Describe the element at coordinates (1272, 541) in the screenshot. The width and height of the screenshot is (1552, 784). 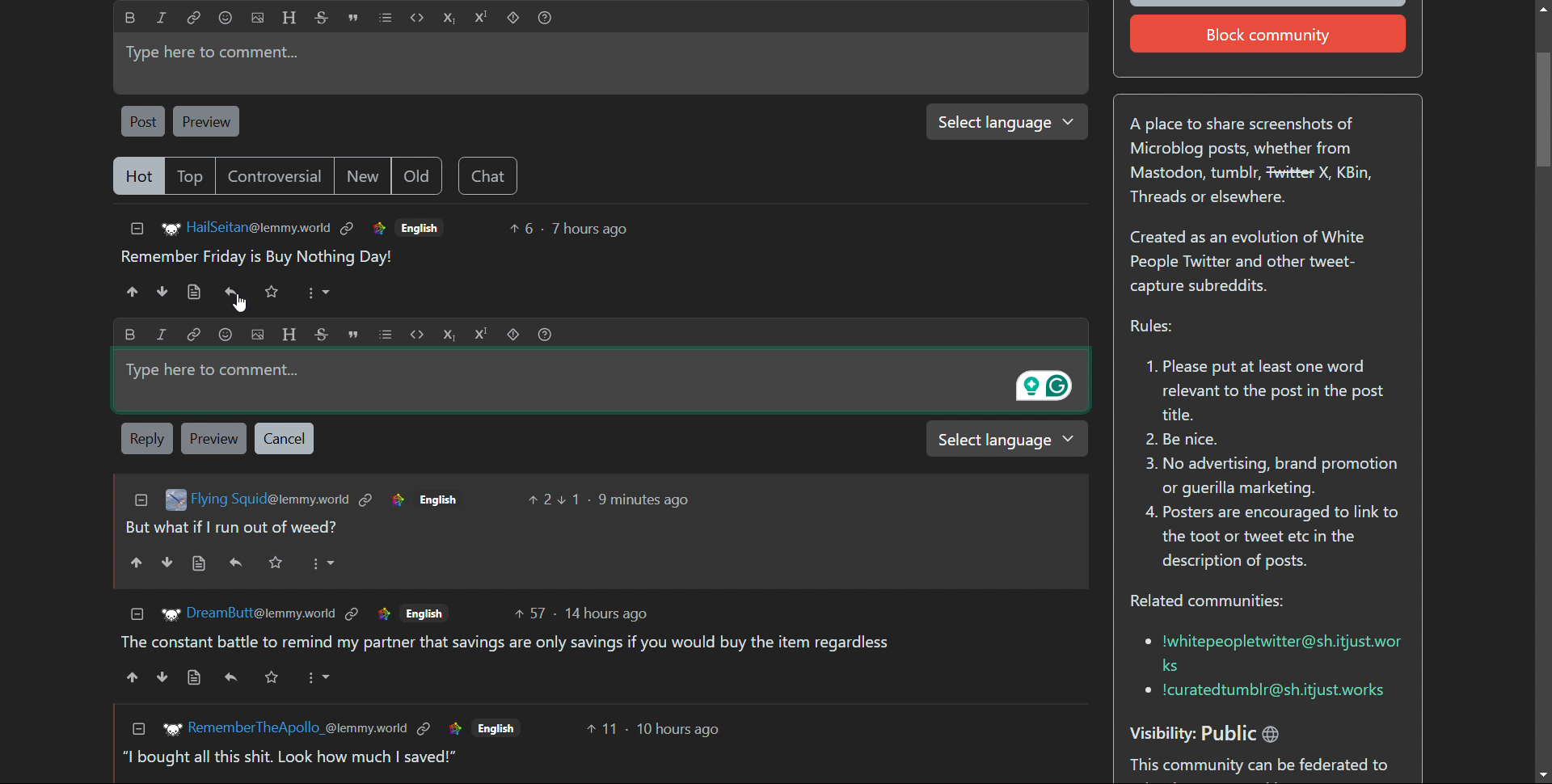
I see `4. Posters are encouraged to link to the toot or tweet etc in the description of posts.` at that location.